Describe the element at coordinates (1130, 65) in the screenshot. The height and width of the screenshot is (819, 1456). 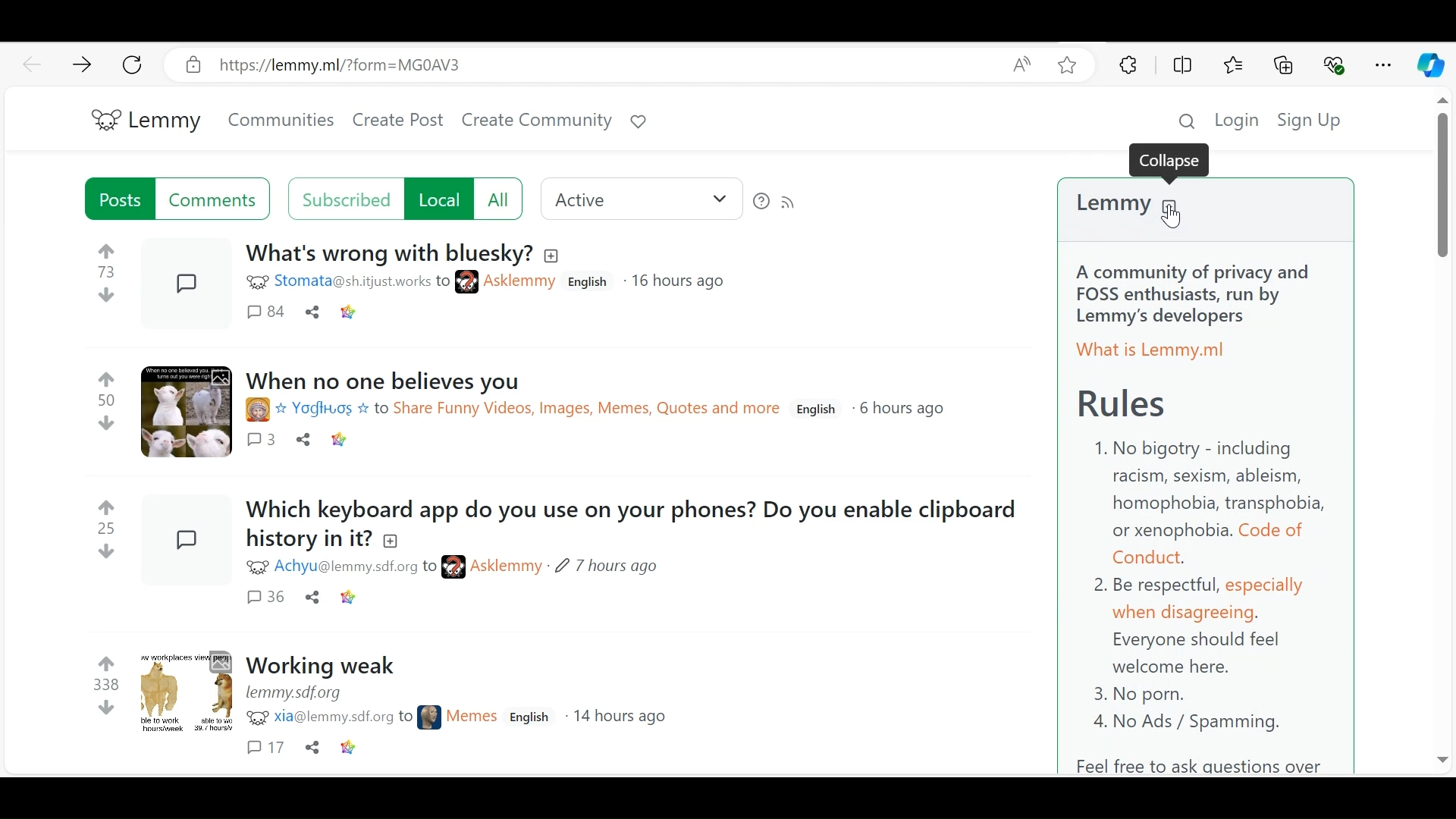
I see `Extensions` at that location.